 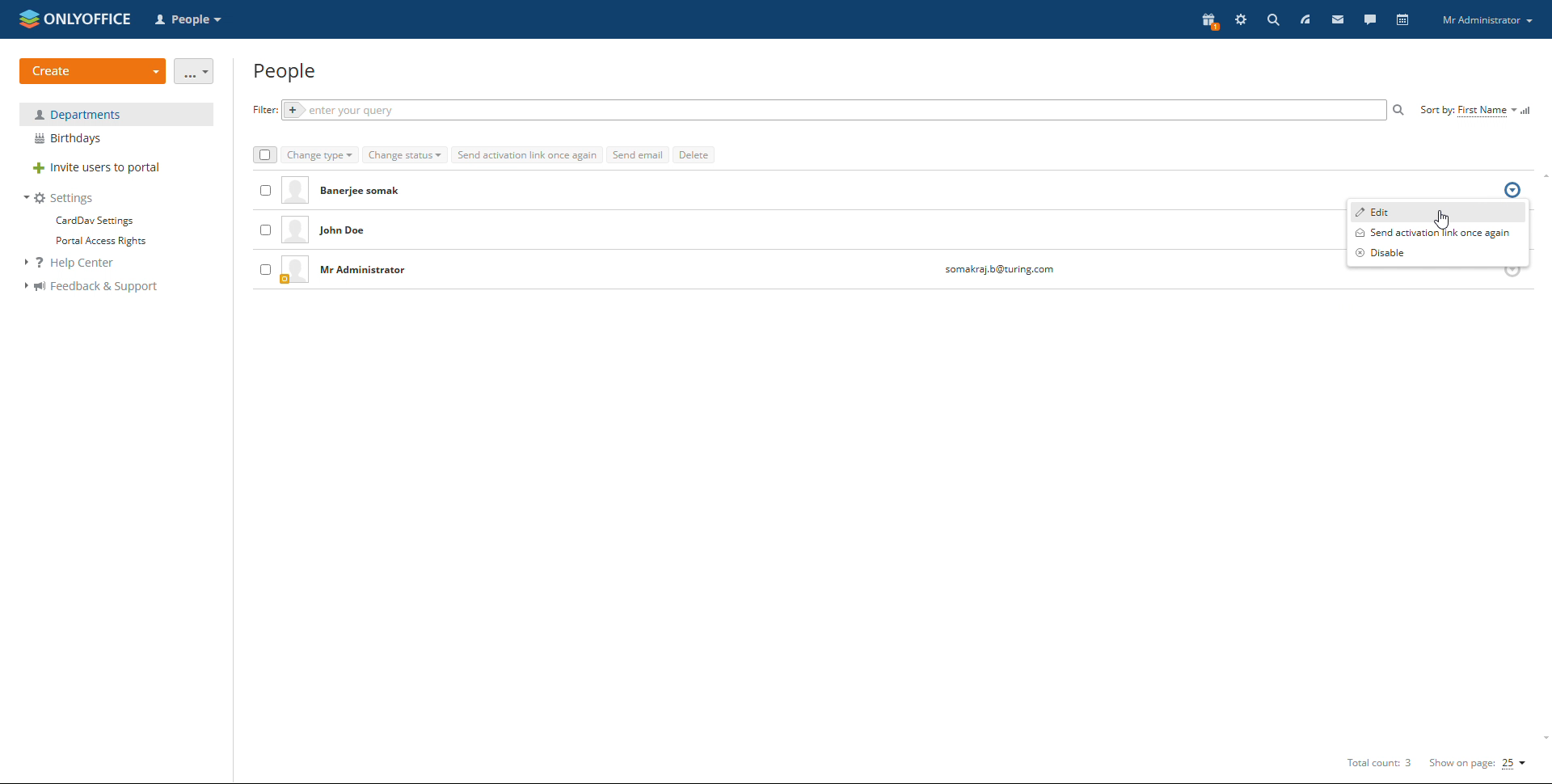 What do you see at coordinates (264, 231) in the screenshot?
I see `click to select individual entry` at bounding box center [264, 231].